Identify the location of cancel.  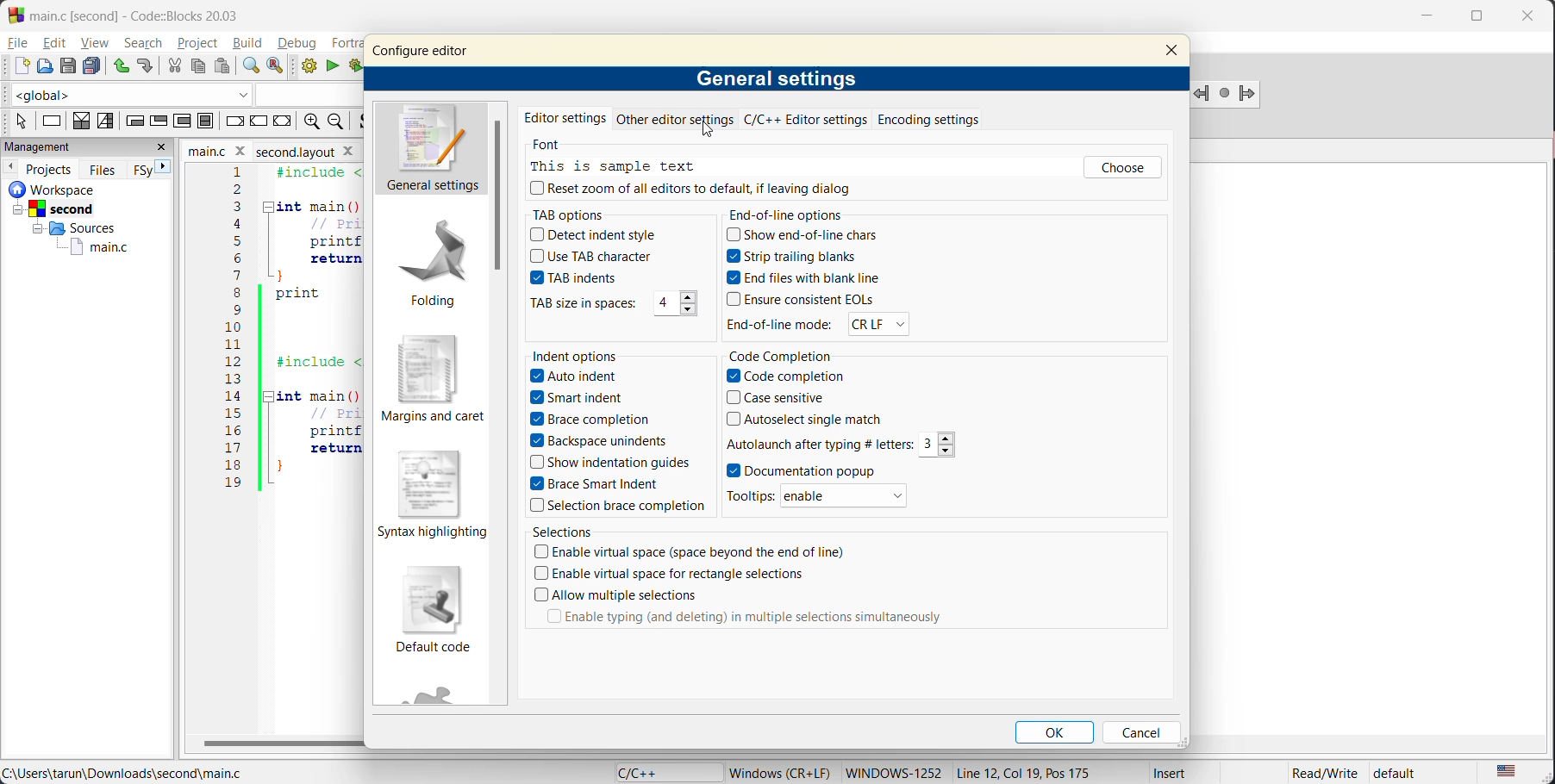
(1140, 732).